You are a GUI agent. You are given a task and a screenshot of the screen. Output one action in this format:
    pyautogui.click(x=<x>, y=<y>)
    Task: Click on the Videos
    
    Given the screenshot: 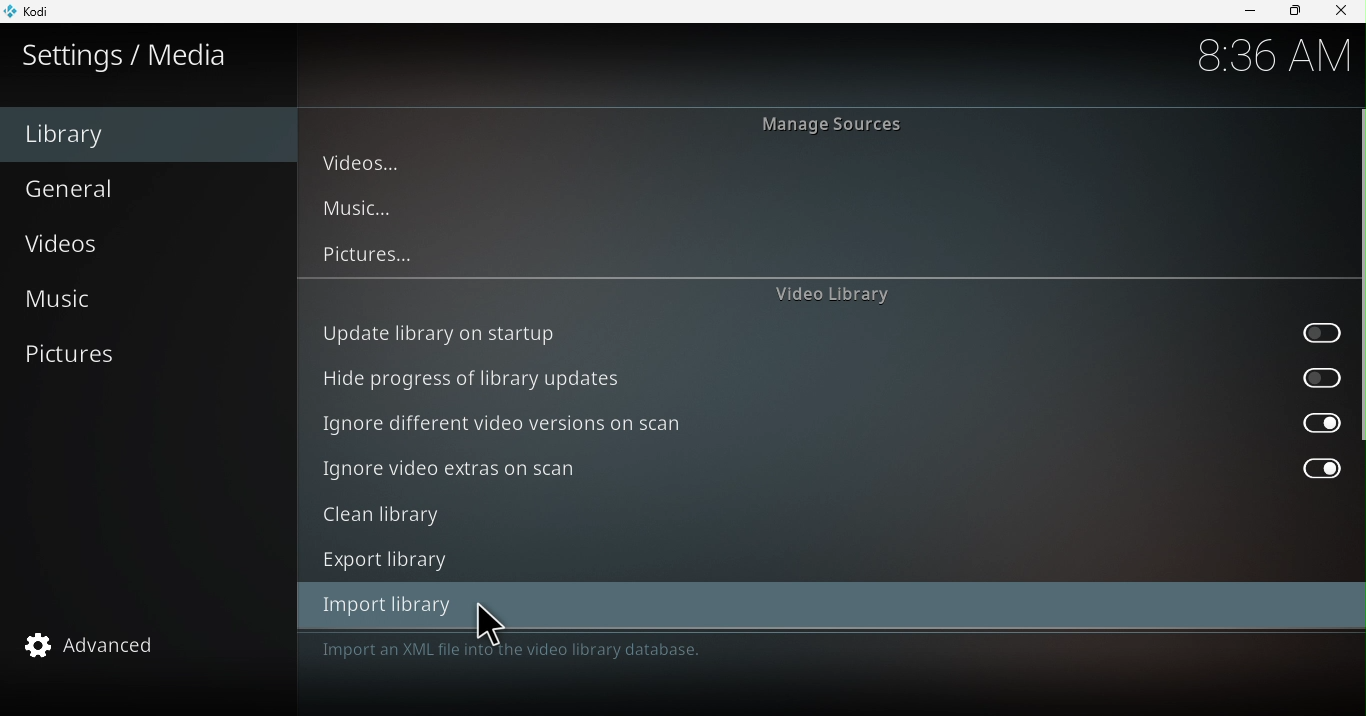 What is the action you would take?
    pyautogui.click(x=145, y=247)
    